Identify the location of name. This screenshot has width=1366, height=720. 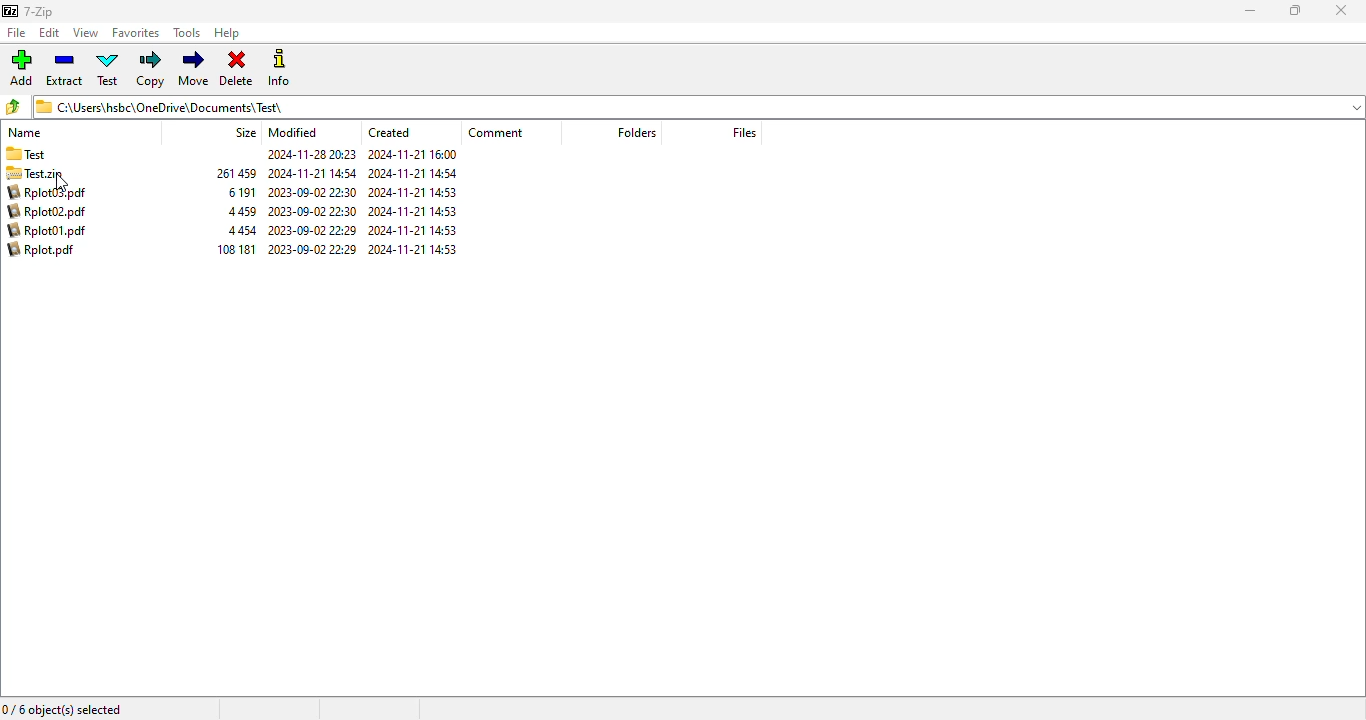
(25, 133).